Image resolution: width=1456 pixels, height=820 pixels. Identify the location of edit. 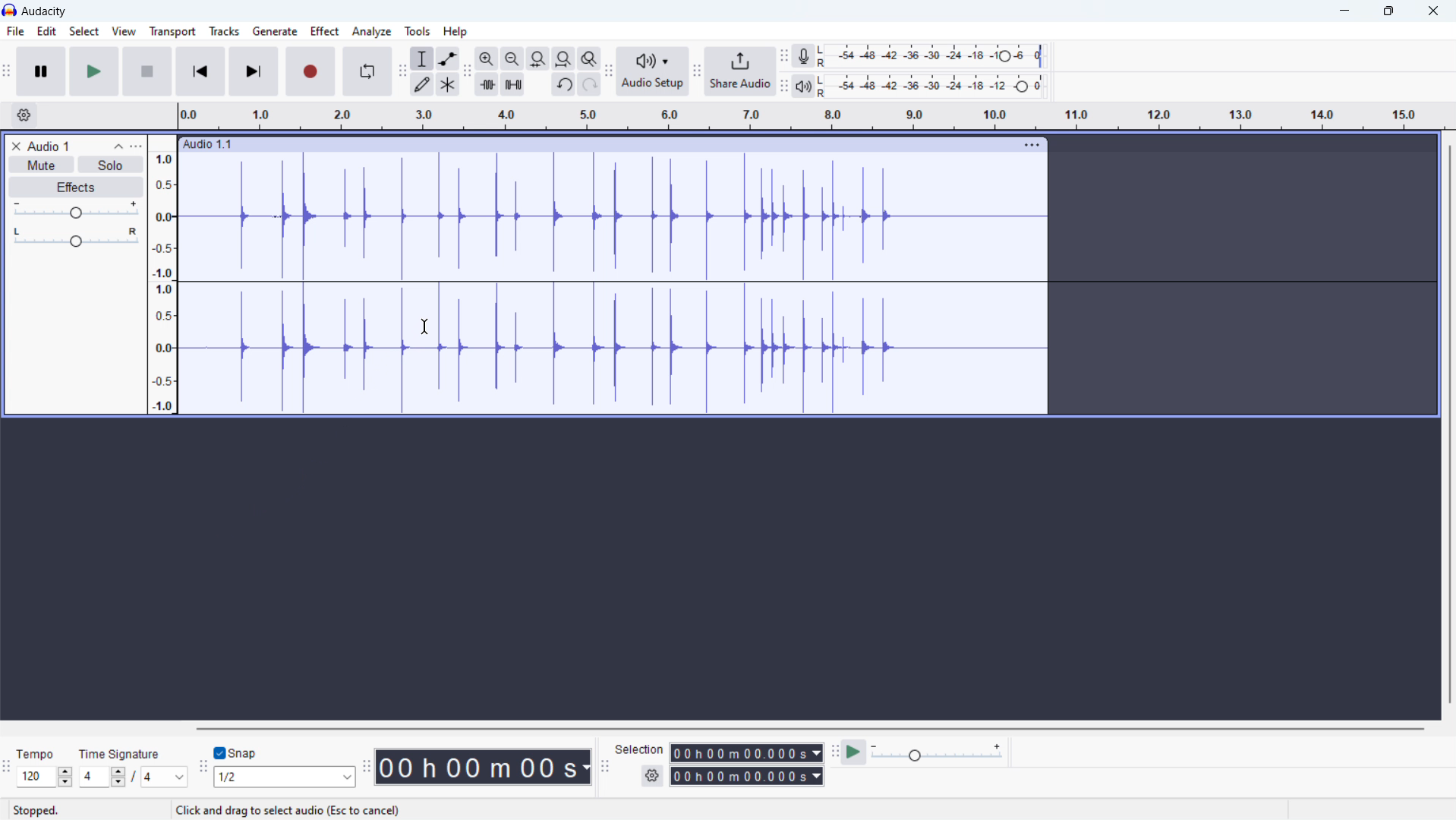
(46, 31).